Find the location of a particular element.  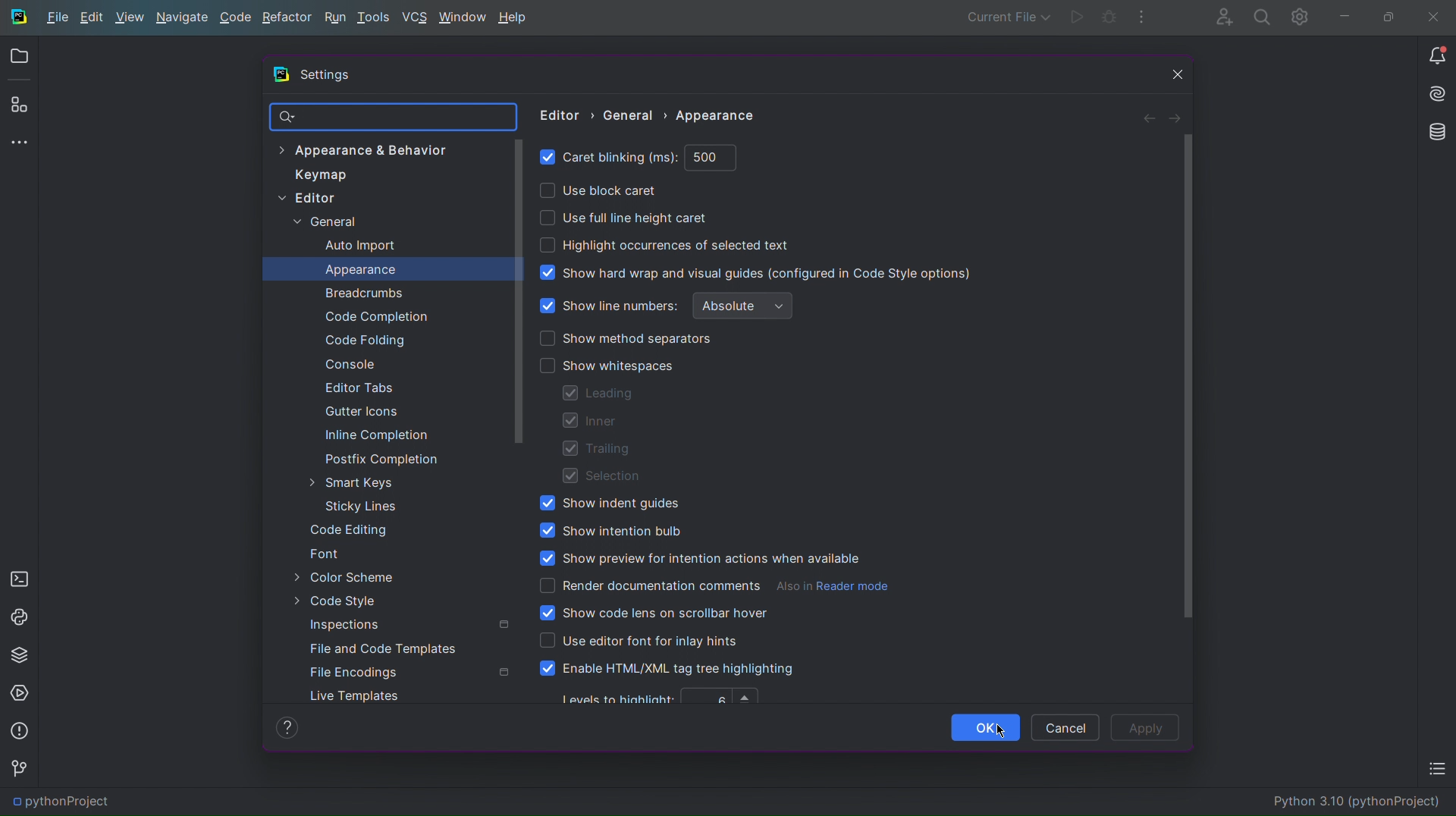

Code Completion is located at coordinates (375, 318).